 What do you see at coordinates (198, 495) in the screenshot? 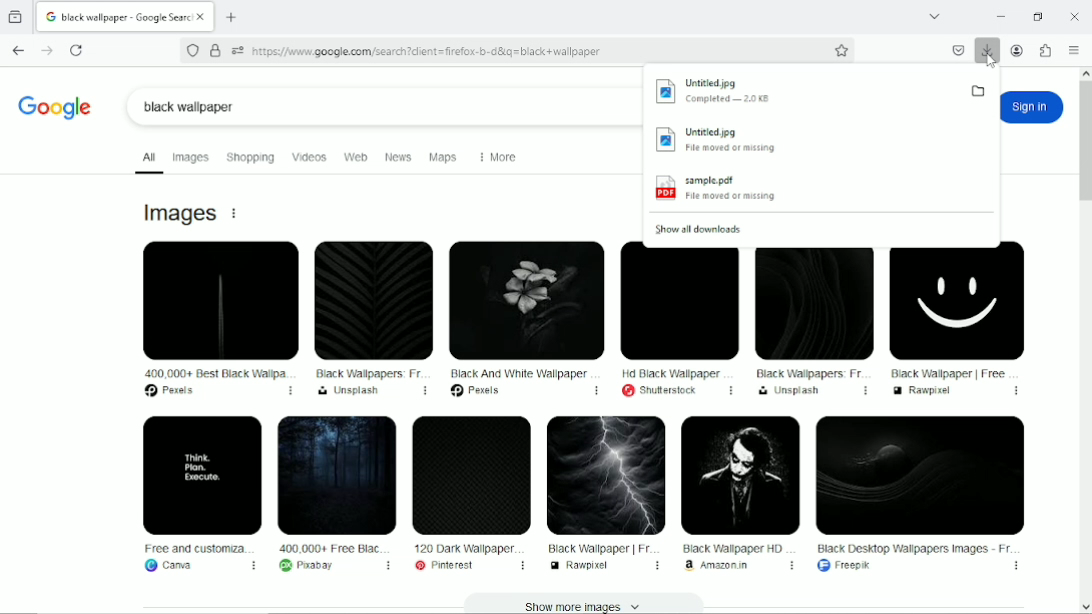
I see `Free and customiza` at bounding box center [198, 495].